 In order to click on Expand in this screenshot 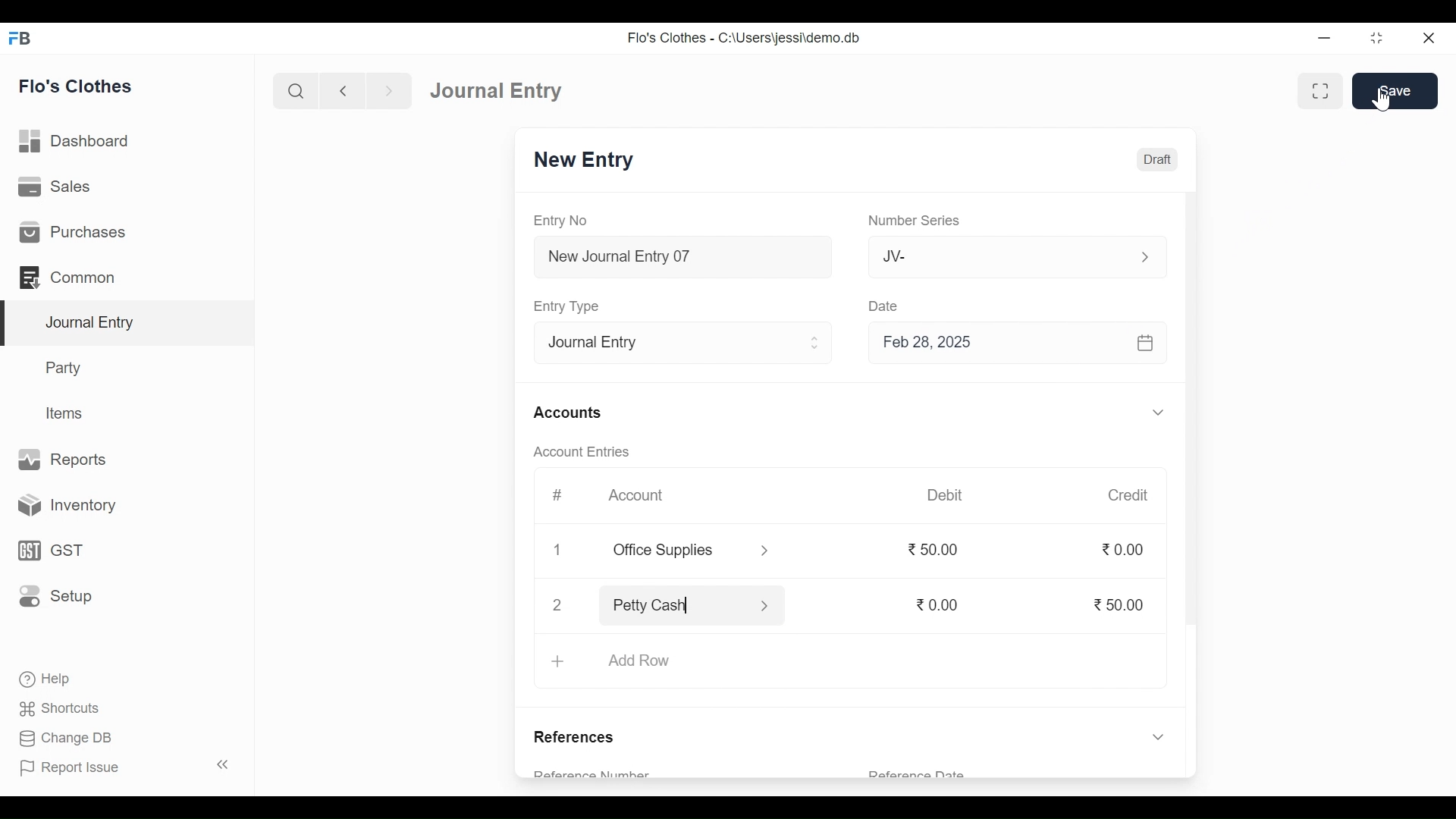, I will do `click(1158, 412)`.